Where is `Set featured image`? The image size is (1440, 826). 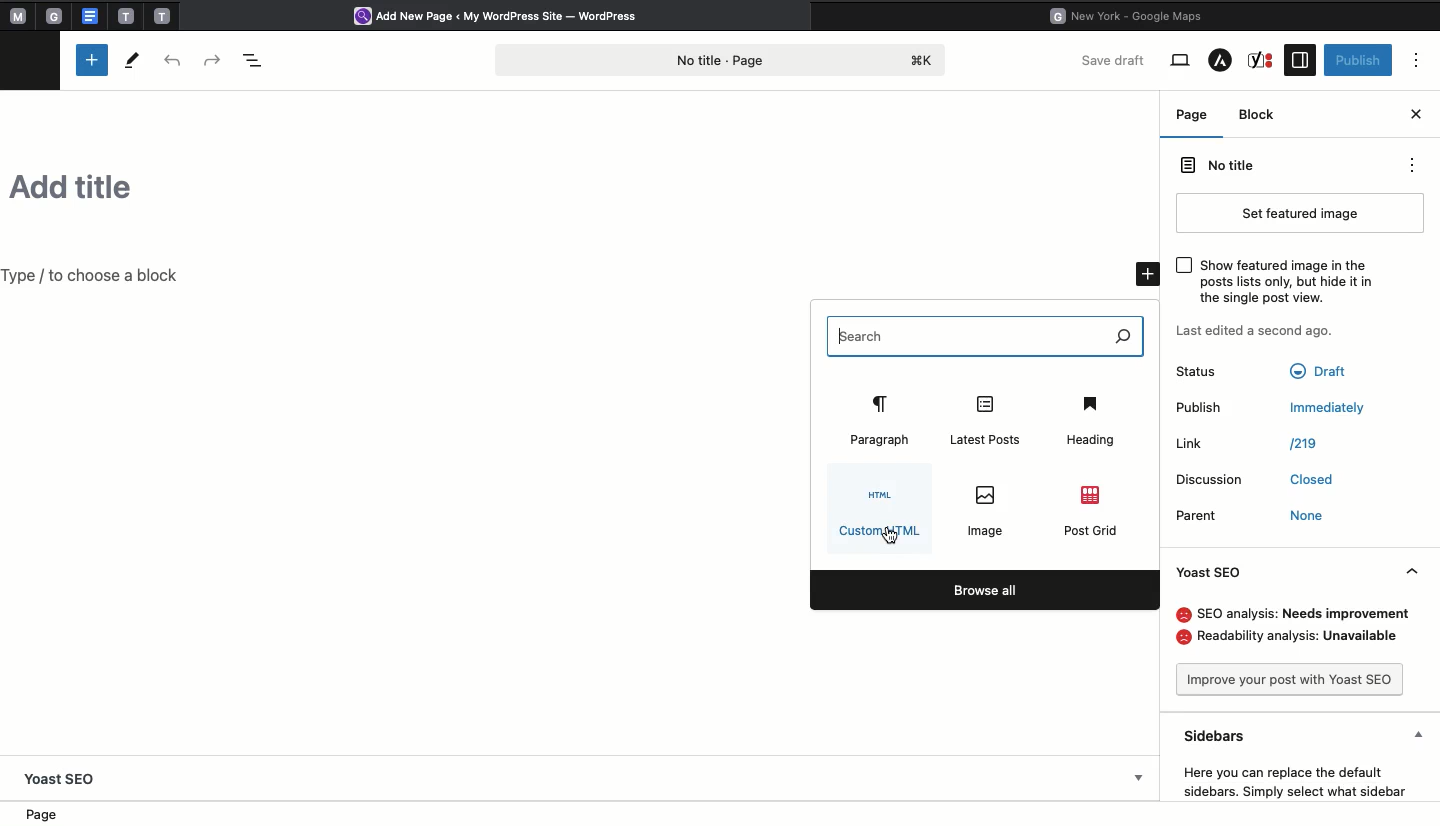
Set featured image is located at coordinates (1309, 213).